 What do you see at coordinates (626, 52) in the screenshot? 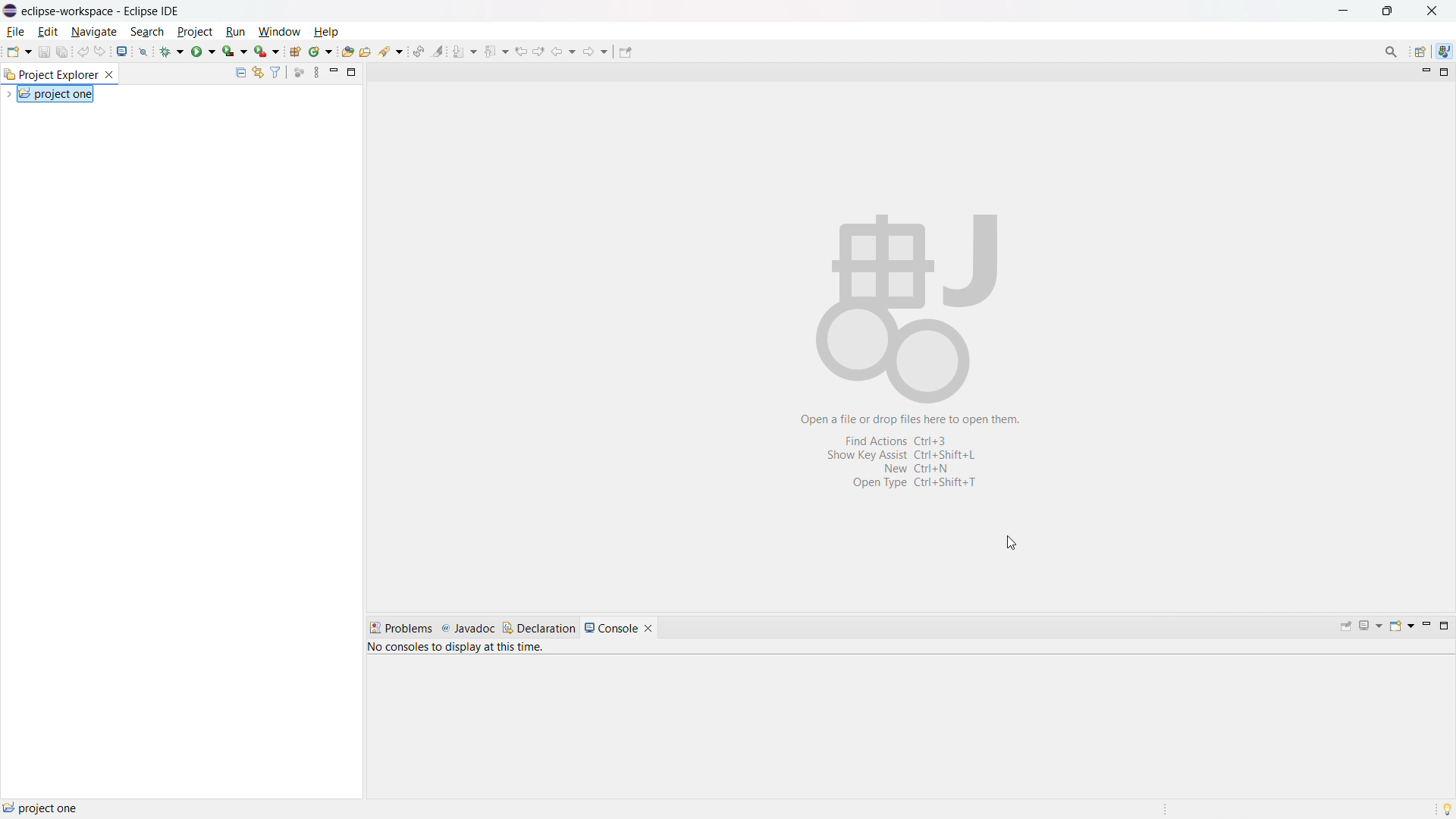
I see `pin editor` at bounding box center [626, 52].